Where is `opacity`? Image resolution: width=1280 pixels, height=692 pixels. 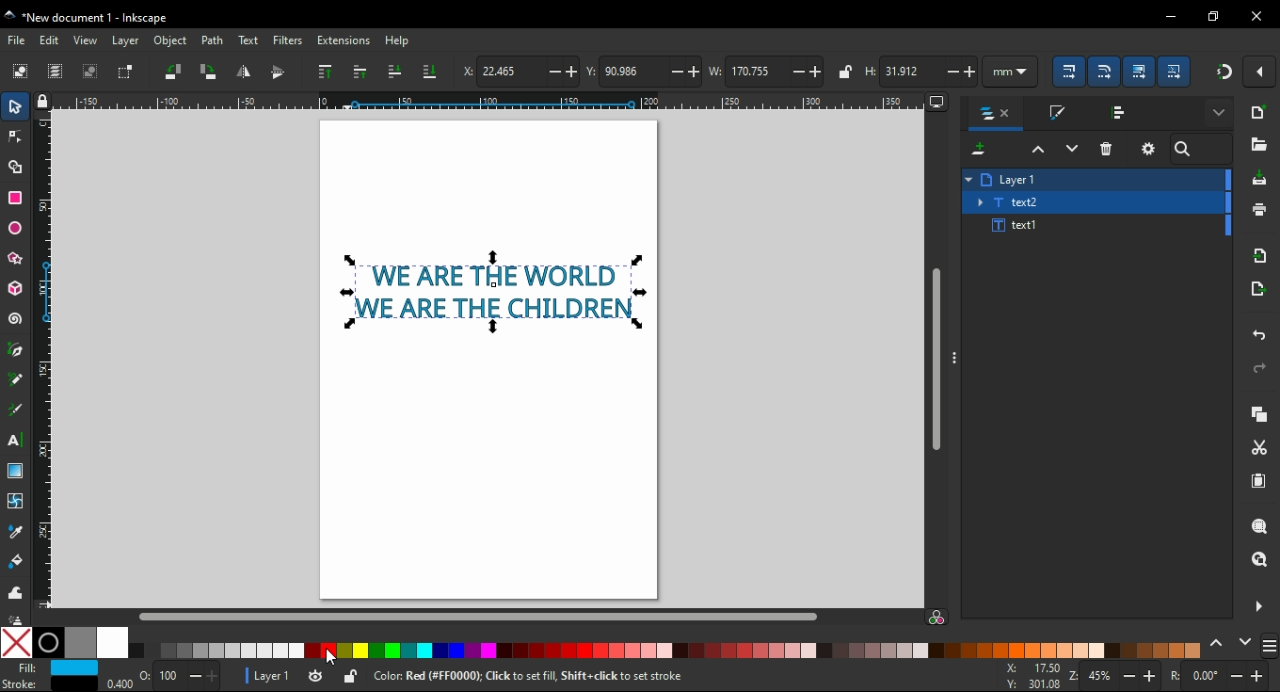
opacity is located at coordinates (160, 679).